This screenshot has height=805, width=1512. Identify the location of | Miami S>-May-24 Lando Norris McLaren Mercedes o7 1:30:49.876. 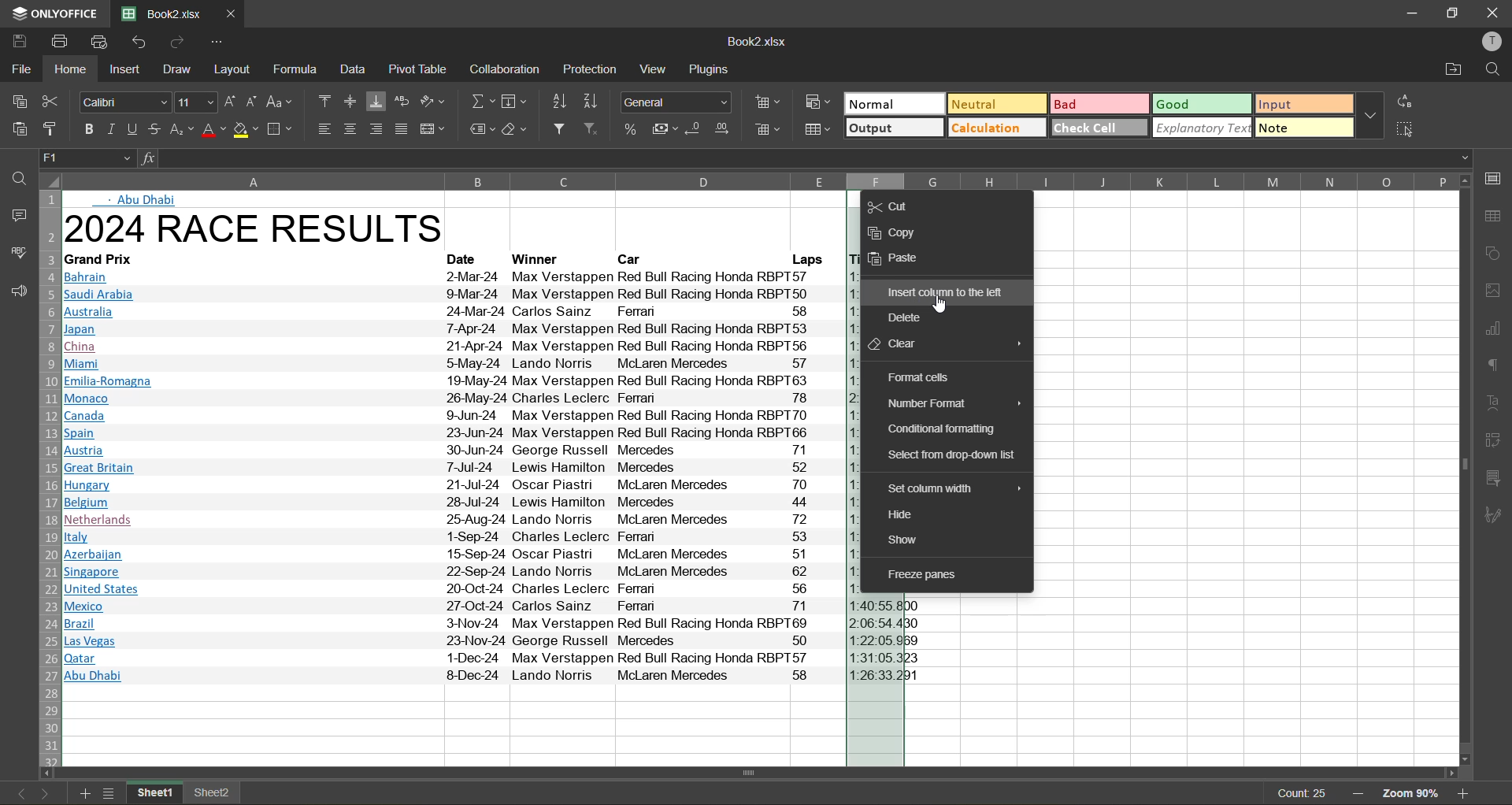
(454, 365).